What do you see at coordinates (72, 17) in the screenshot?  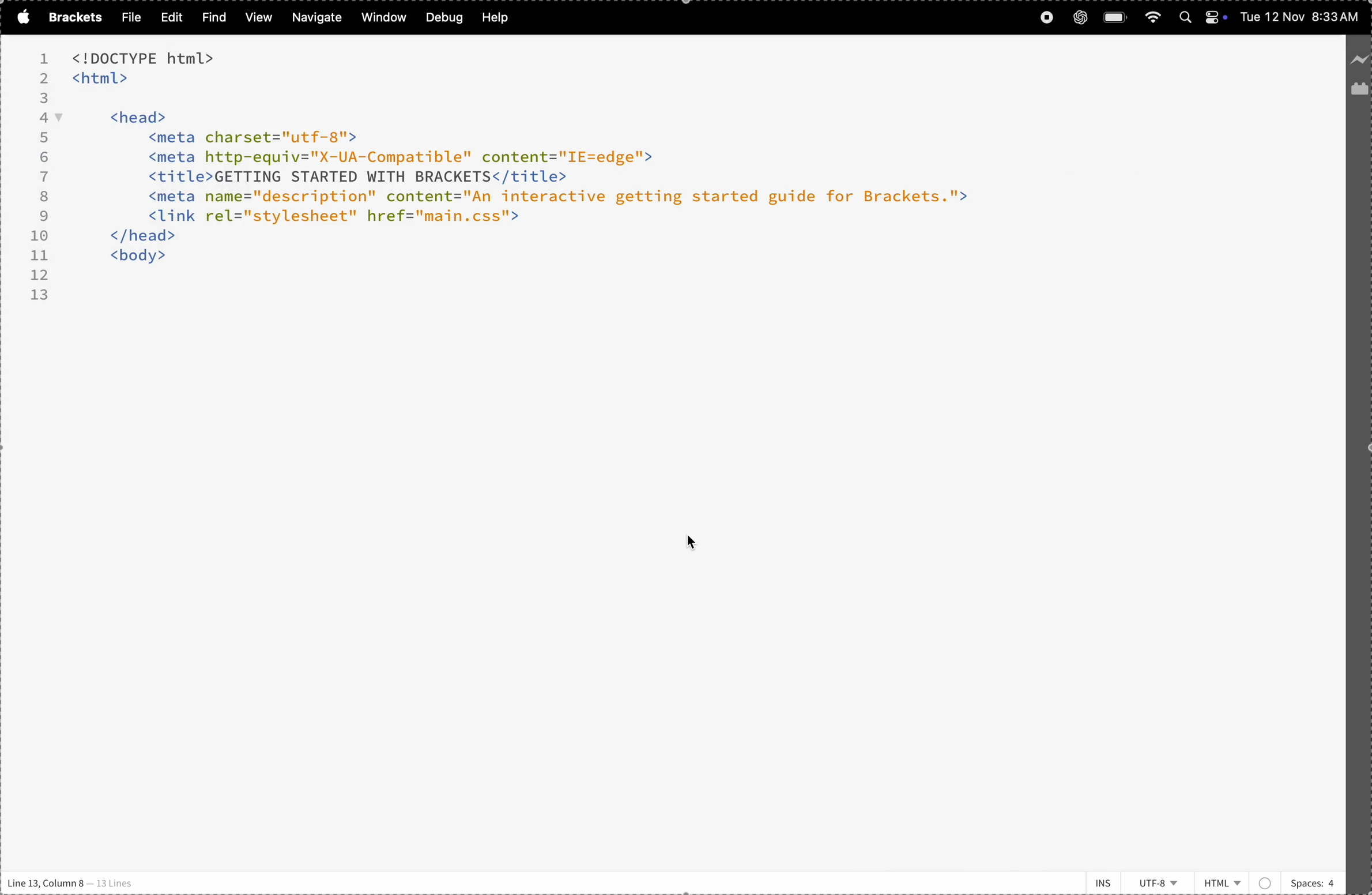 I see `brackets` at bounding box center [72, 17].